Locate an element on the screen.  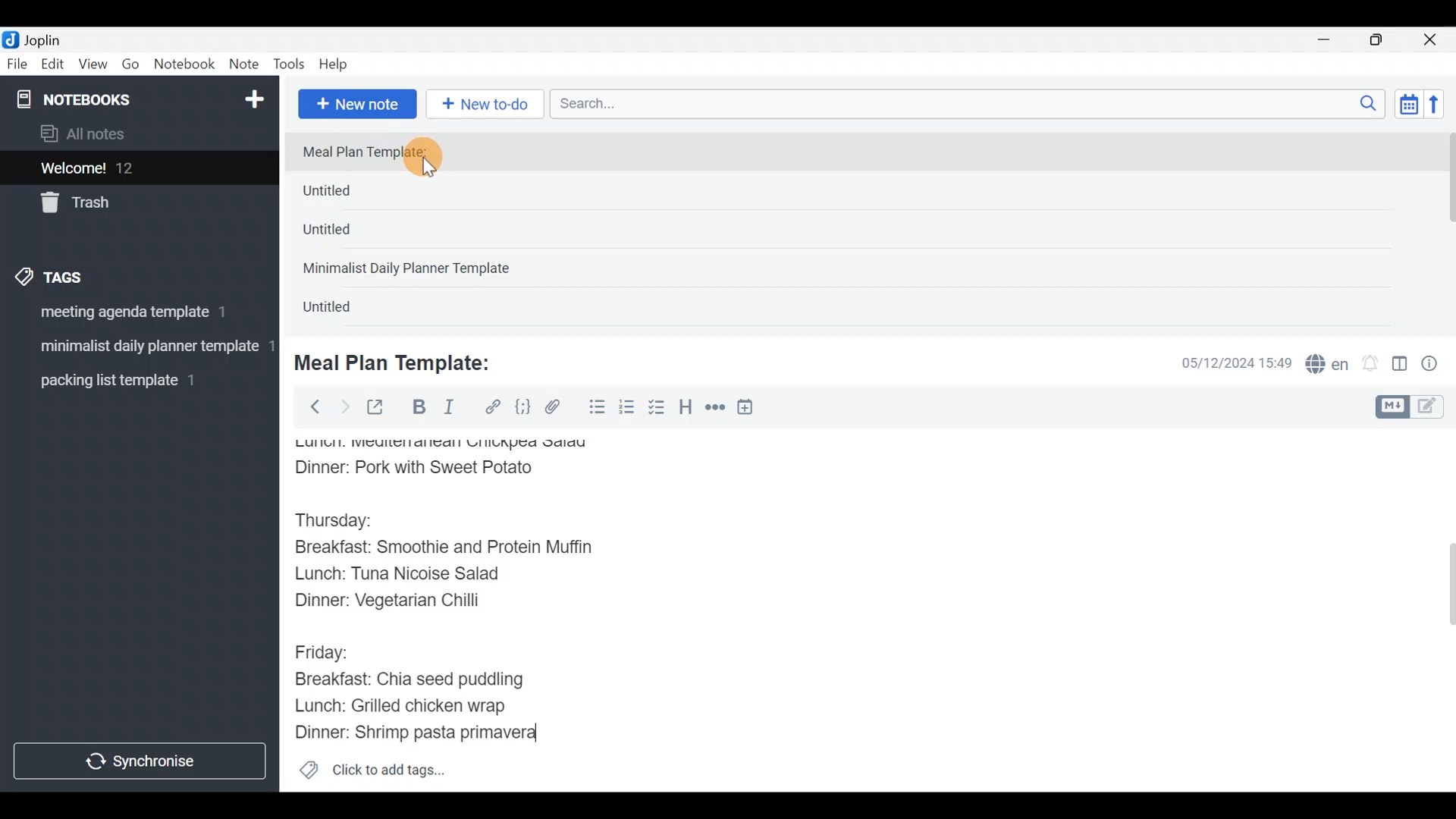
Trash is located at coordinates (130, 204).